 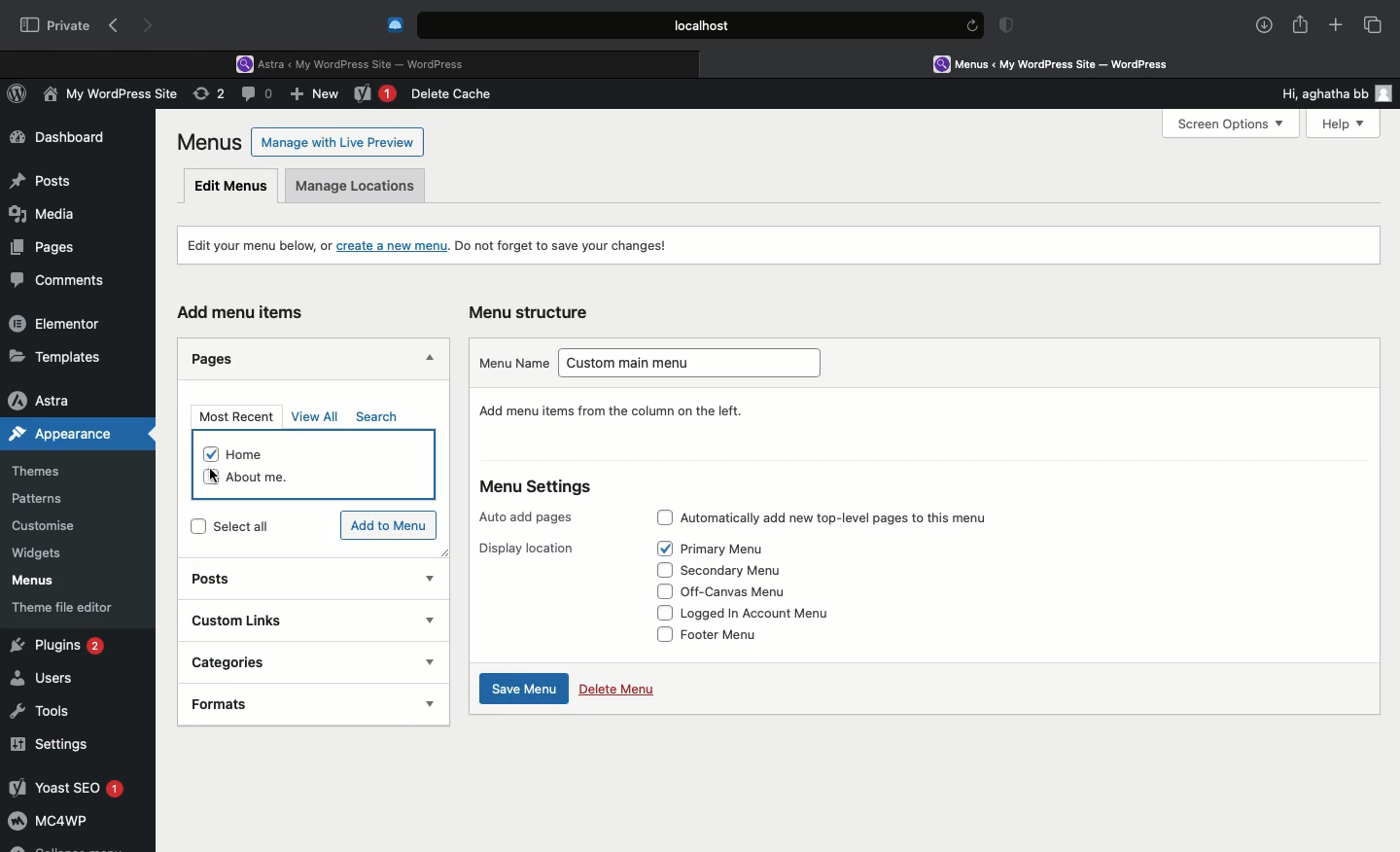 What do you see at coordinates (546, 487) in the screenshot?
I see `Menu settings` at bounding box center [546, 487].